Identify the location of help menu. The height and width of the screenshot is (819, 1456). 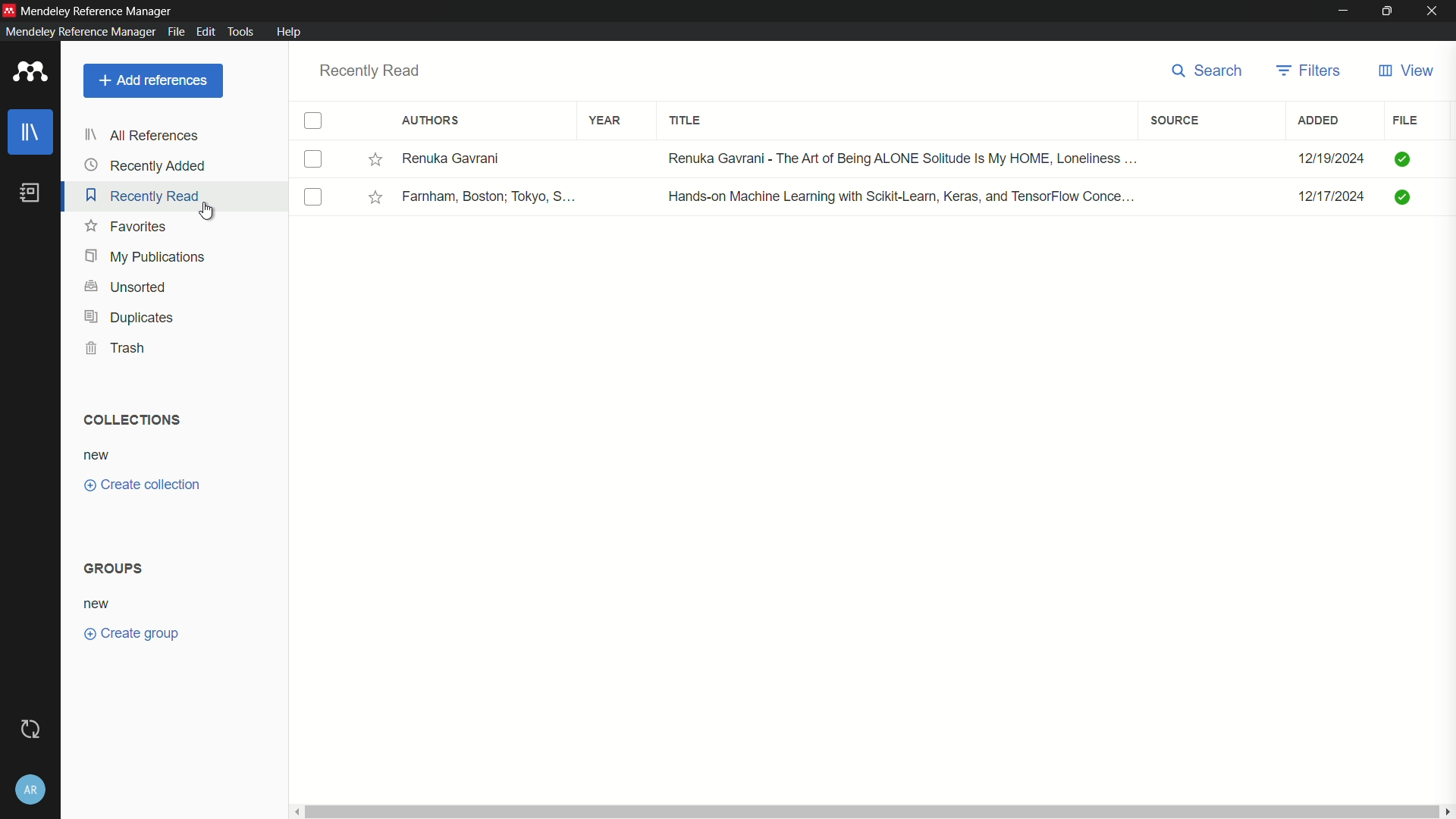
(291, 33).